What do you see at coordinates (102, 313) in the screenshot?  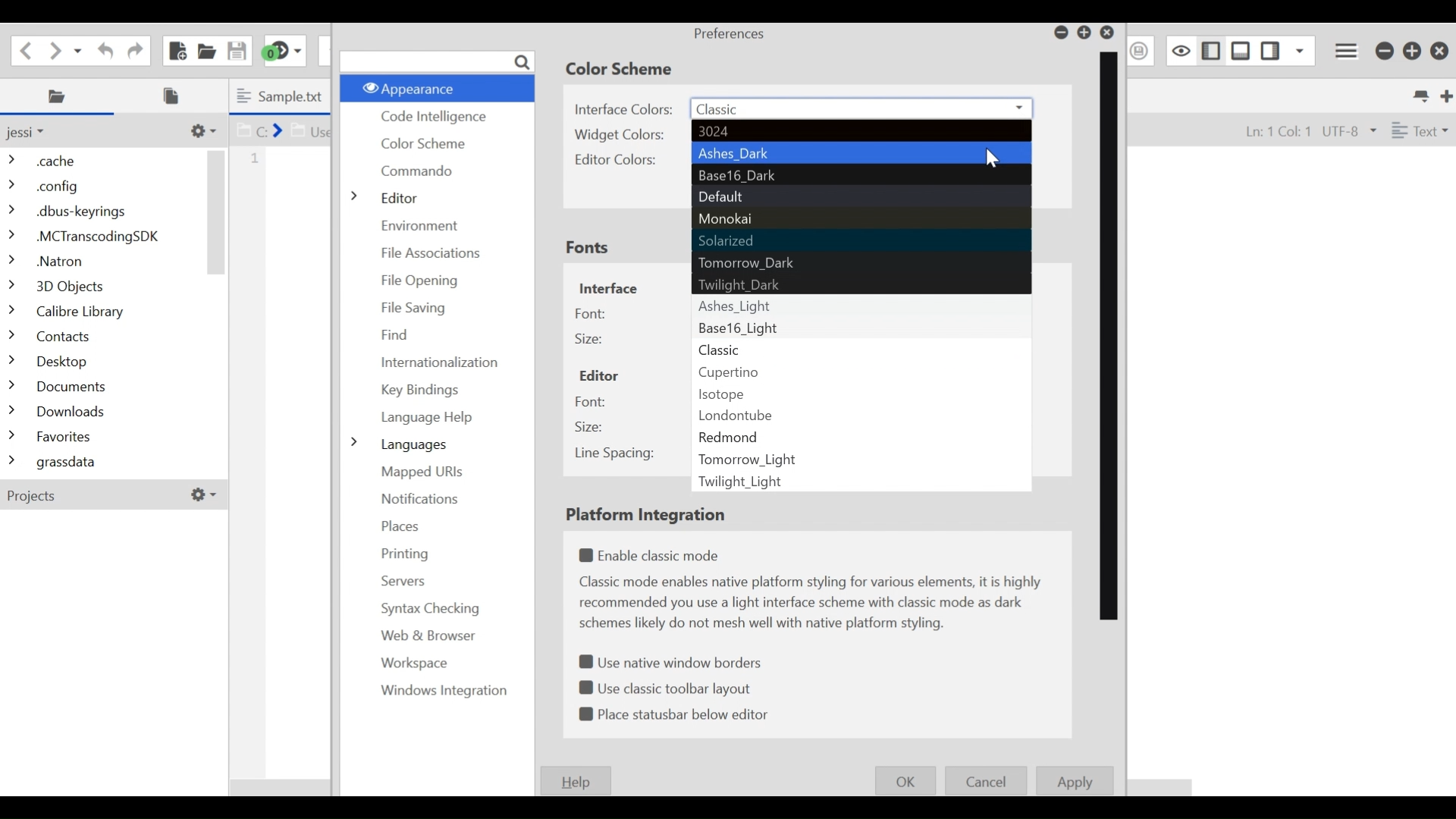 I see `Folders` at bounding box center [102, 313].